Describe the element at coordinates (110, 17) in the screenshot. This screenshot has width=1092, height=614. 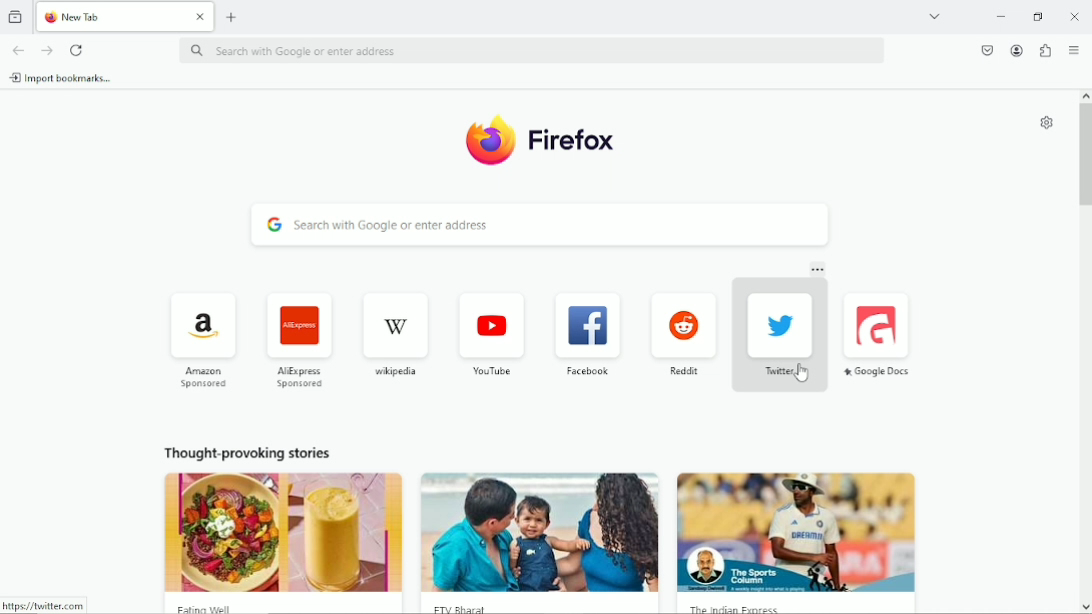
I see `New Tab` at that location.